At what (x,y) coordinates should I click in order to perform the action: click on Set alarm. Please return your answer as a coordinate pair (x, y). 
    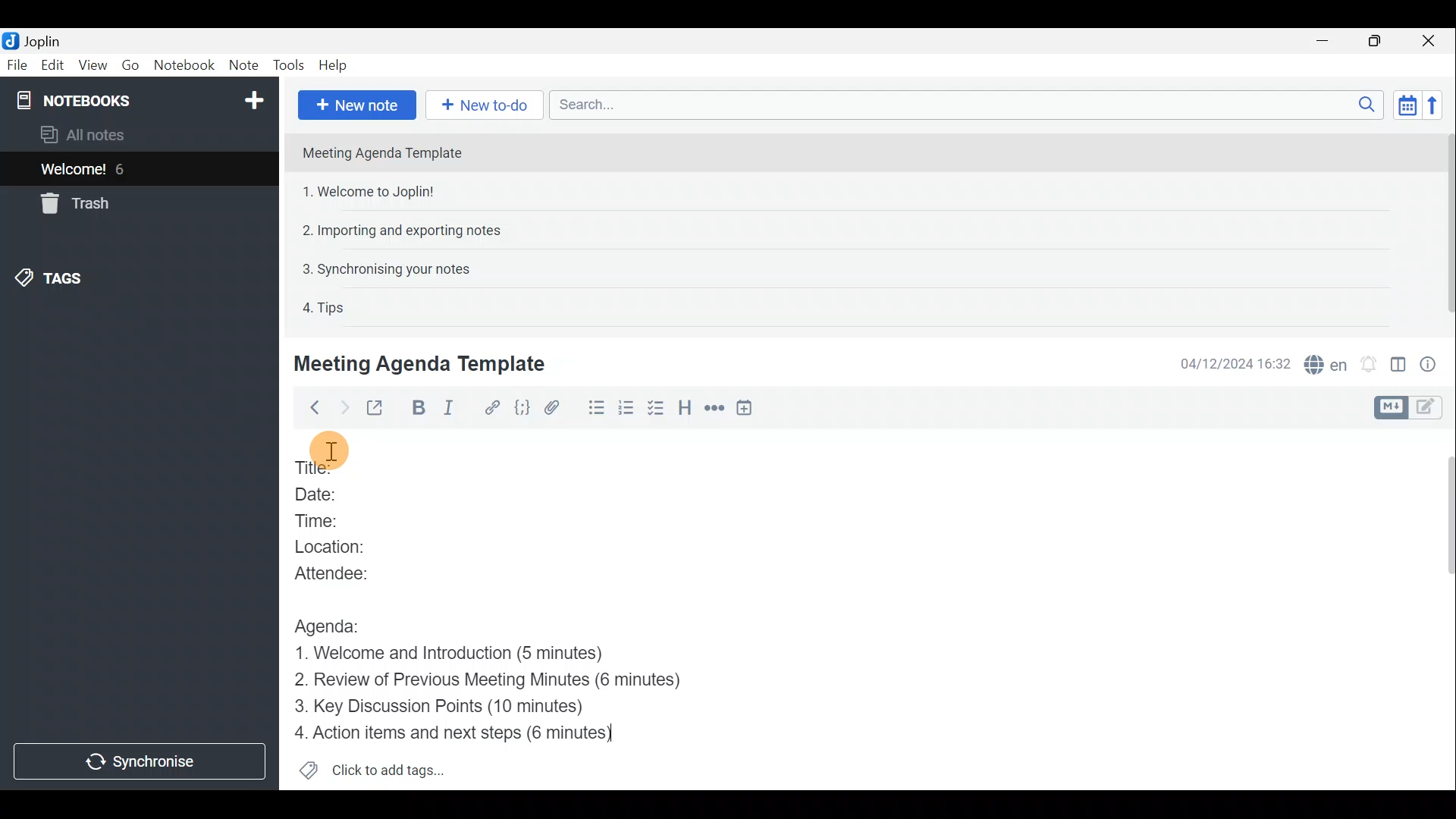
    Looking at the image, I should click on (1370, 364).